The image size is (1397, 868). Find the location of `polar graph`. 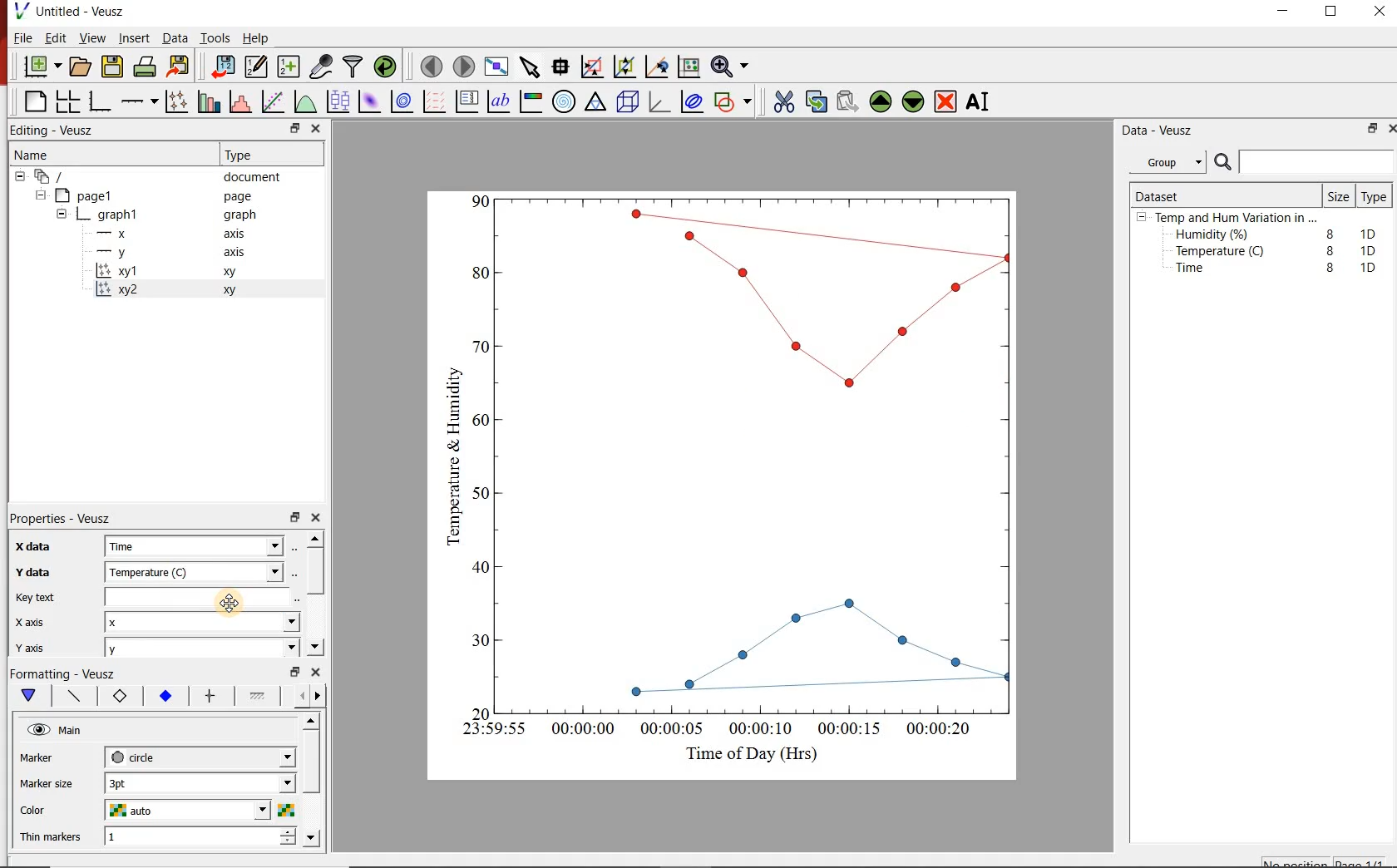

polar graph is located at coordinates (565, 103).